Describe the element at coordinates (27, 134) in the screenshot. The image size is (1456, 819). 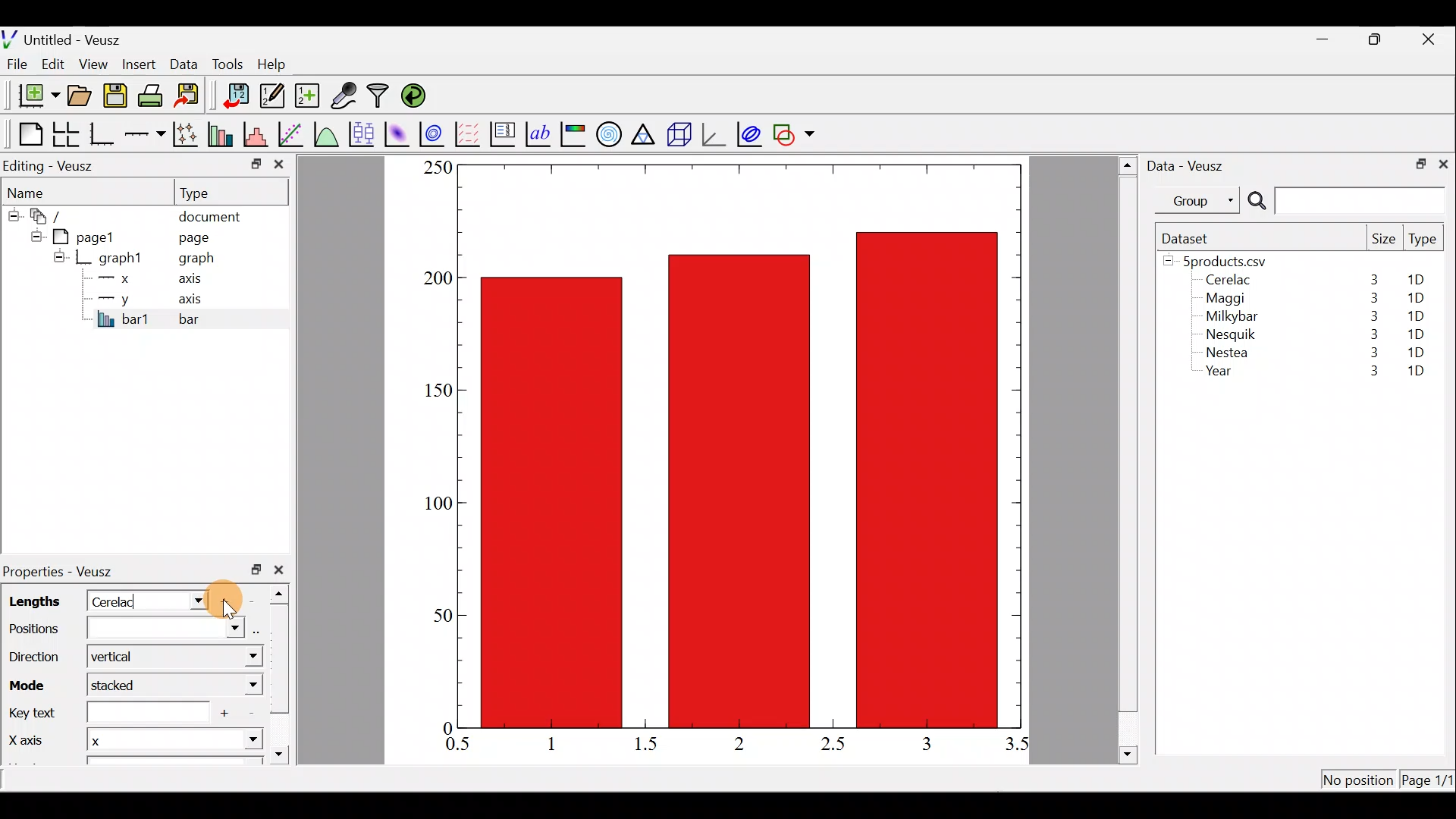
I see `Blank page` at that location.